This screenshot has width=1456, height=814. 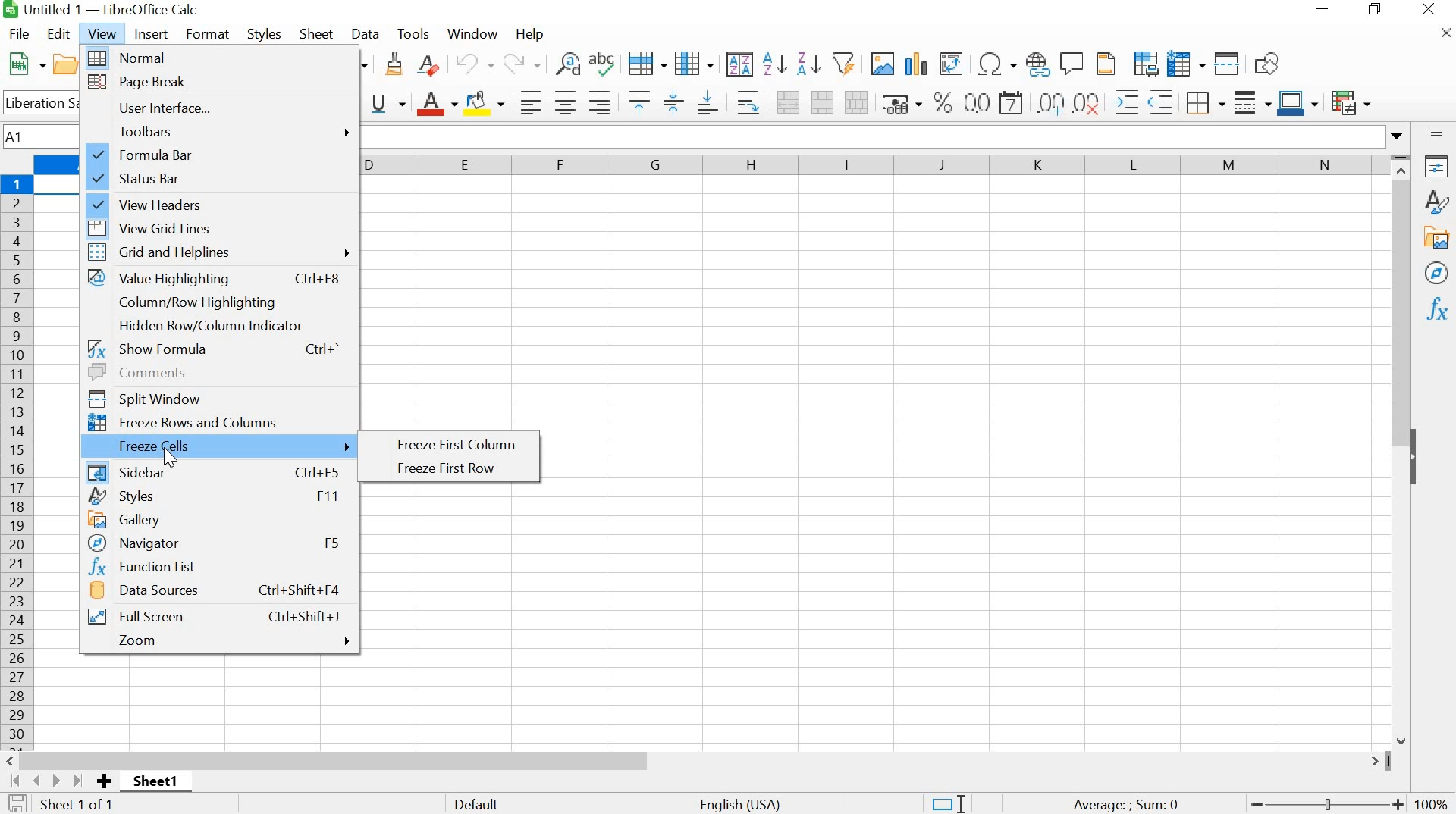 What do you see at coordinates (209, 33) in the screenshot?
I see `FORMAT` at bounding box center [209, 33].